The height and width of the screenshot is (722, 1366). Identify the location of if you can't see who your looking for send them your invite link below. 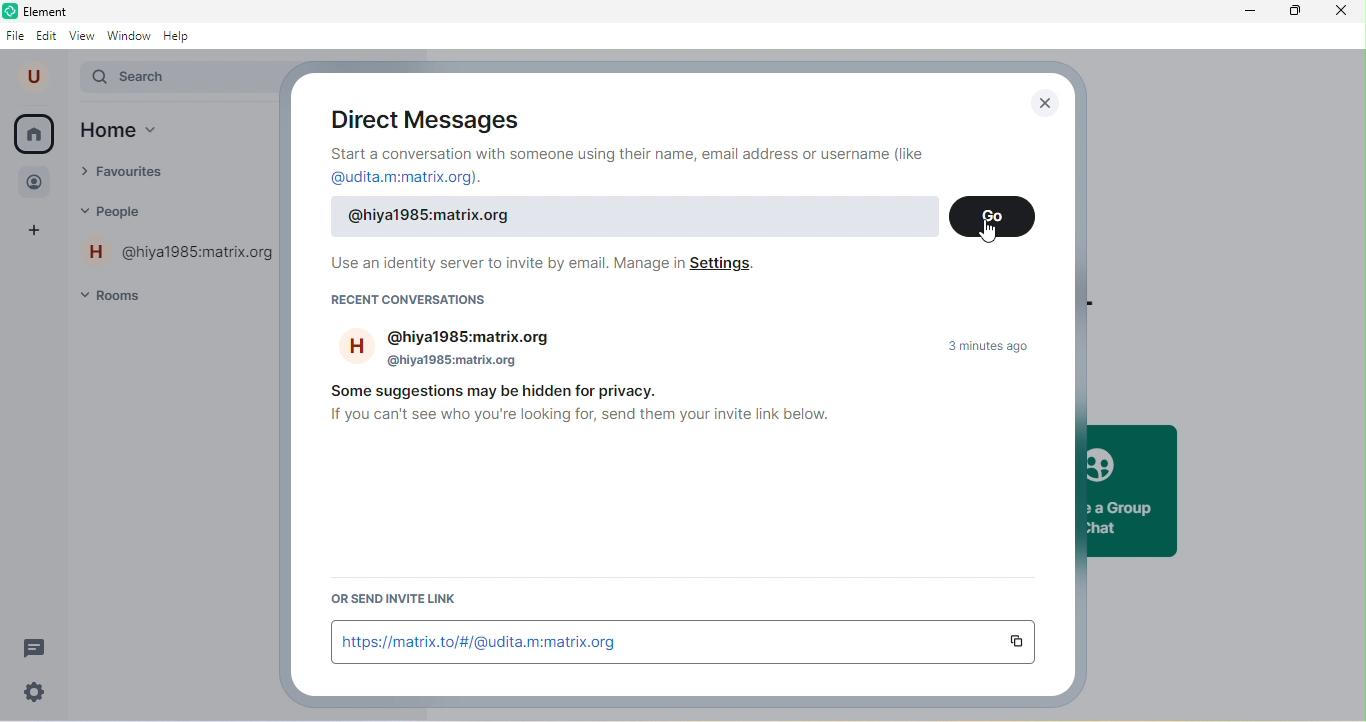
(574, 418).